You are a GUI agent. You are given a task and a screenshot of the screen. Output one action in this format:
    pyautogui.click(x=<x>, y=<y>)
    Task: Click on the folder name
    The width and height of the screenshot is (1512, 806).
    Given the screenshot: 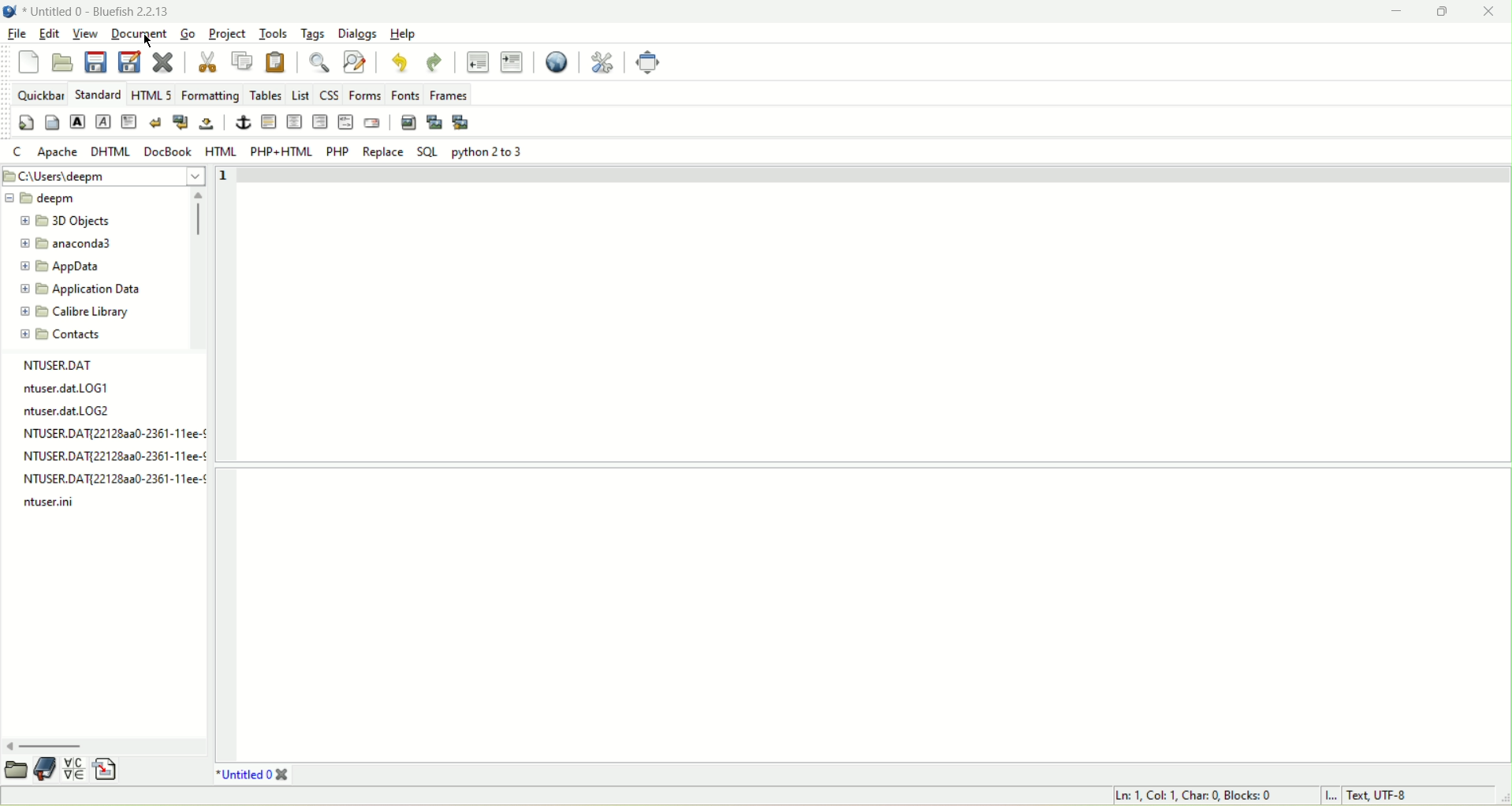 What is the action you would take?
    pyautogui.click(x=61, y=266)
    